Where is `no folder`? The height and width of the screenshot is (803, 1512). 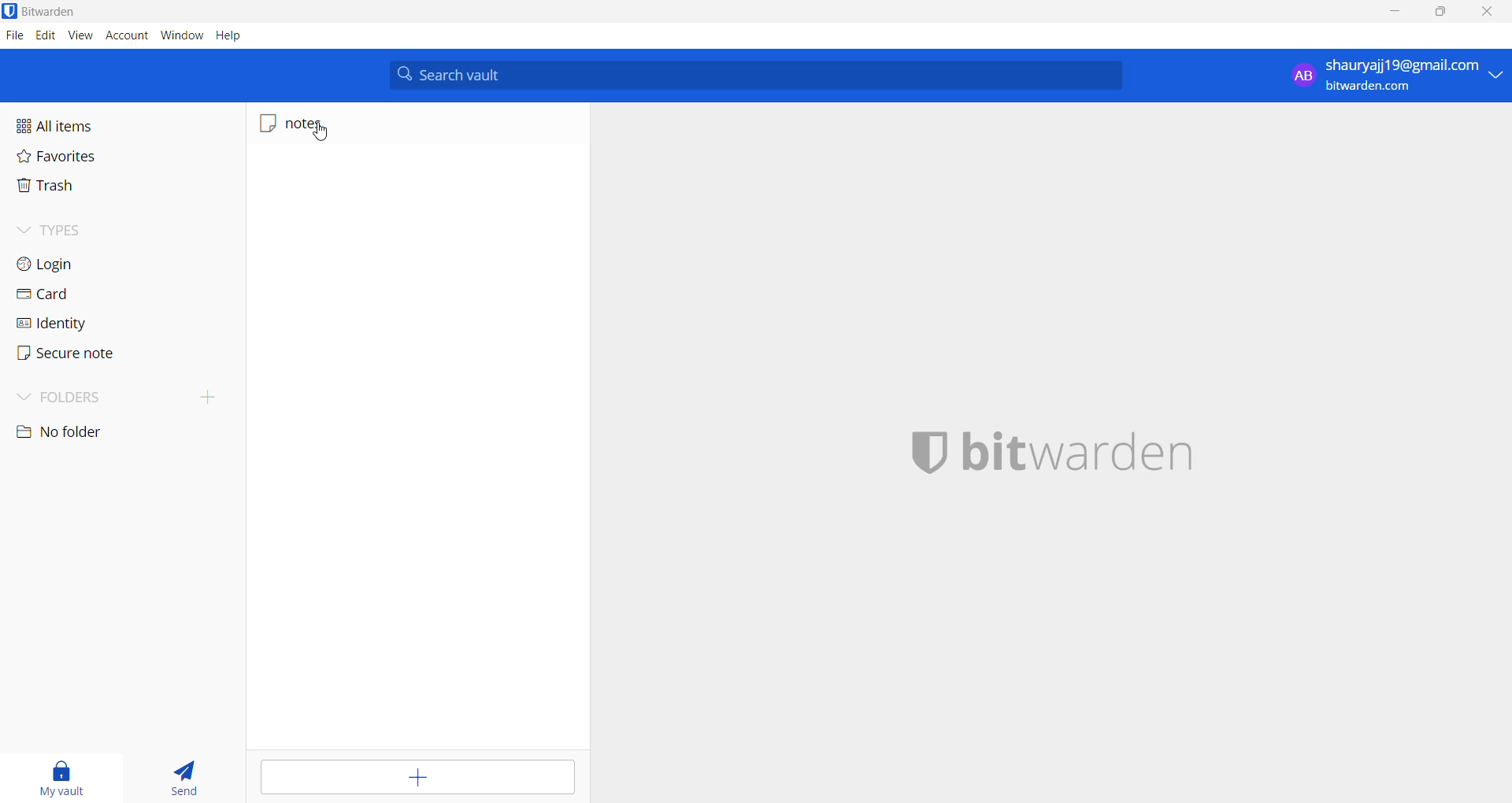 no folder is located at coordinates (76, 432).